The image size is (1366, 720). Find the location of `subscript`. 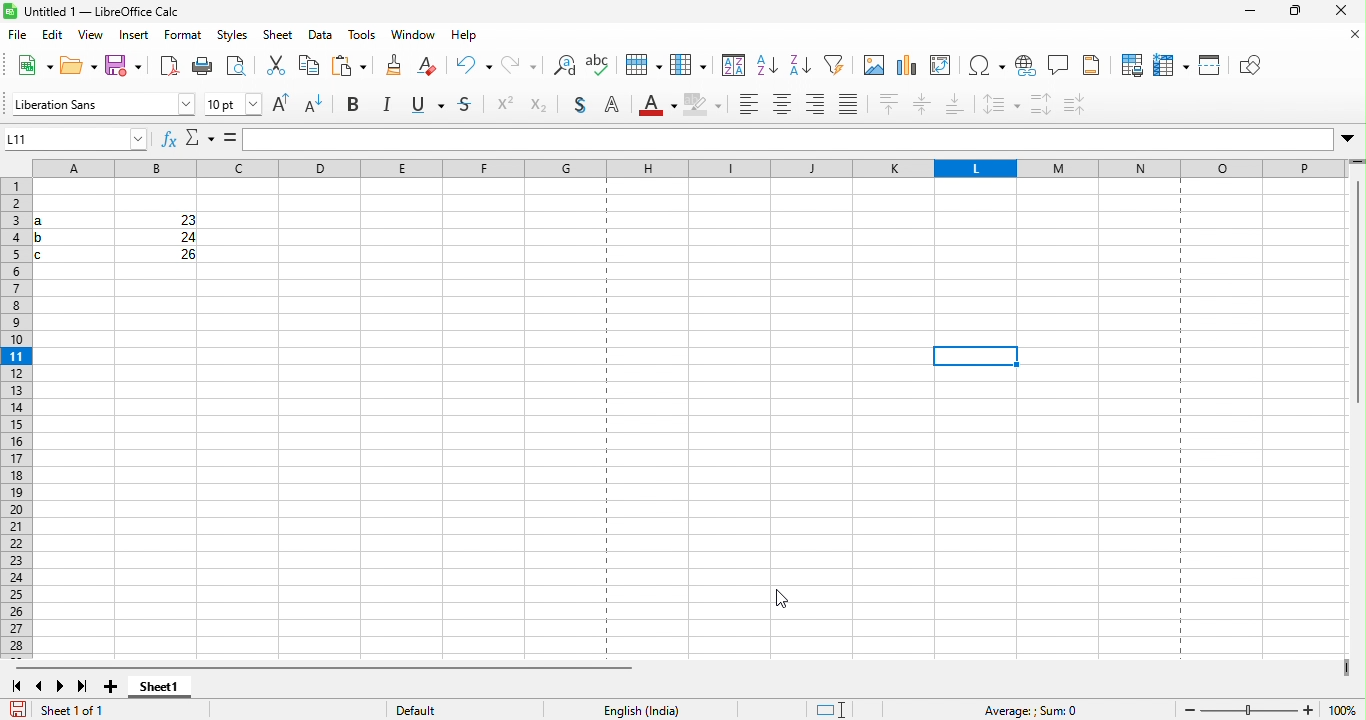

subscript is located at coordinates (539, 105).